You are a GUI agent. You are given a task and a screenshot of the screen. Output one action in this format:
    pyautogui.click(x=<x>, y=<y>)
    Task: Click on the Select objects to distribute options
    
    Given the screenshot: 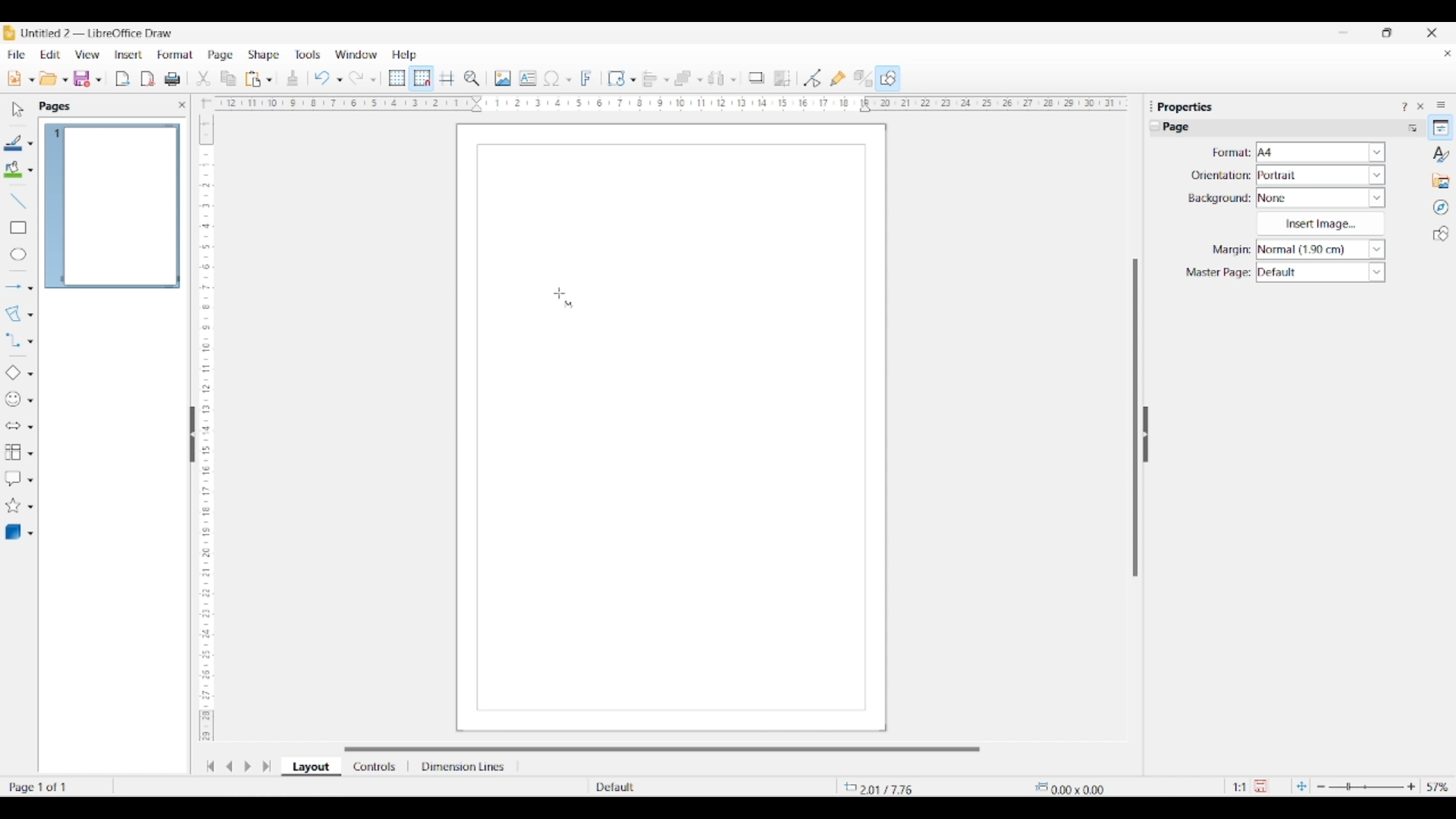 What is the action you would take?
    pyautogui.click(x=733, y=80)
    